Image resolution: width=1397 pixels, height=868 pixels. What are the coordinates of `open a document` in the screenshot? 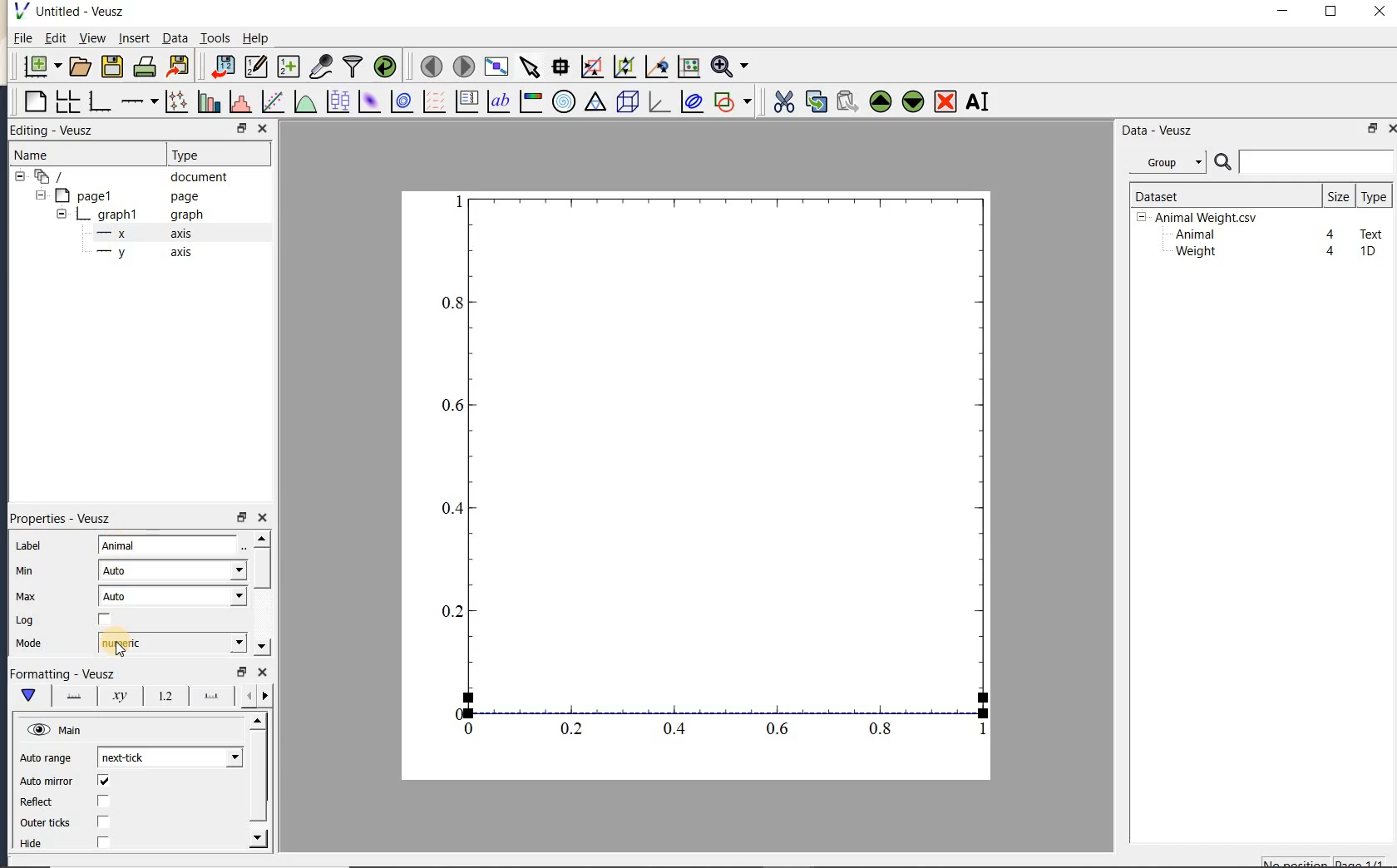 It's located at (78, 67).